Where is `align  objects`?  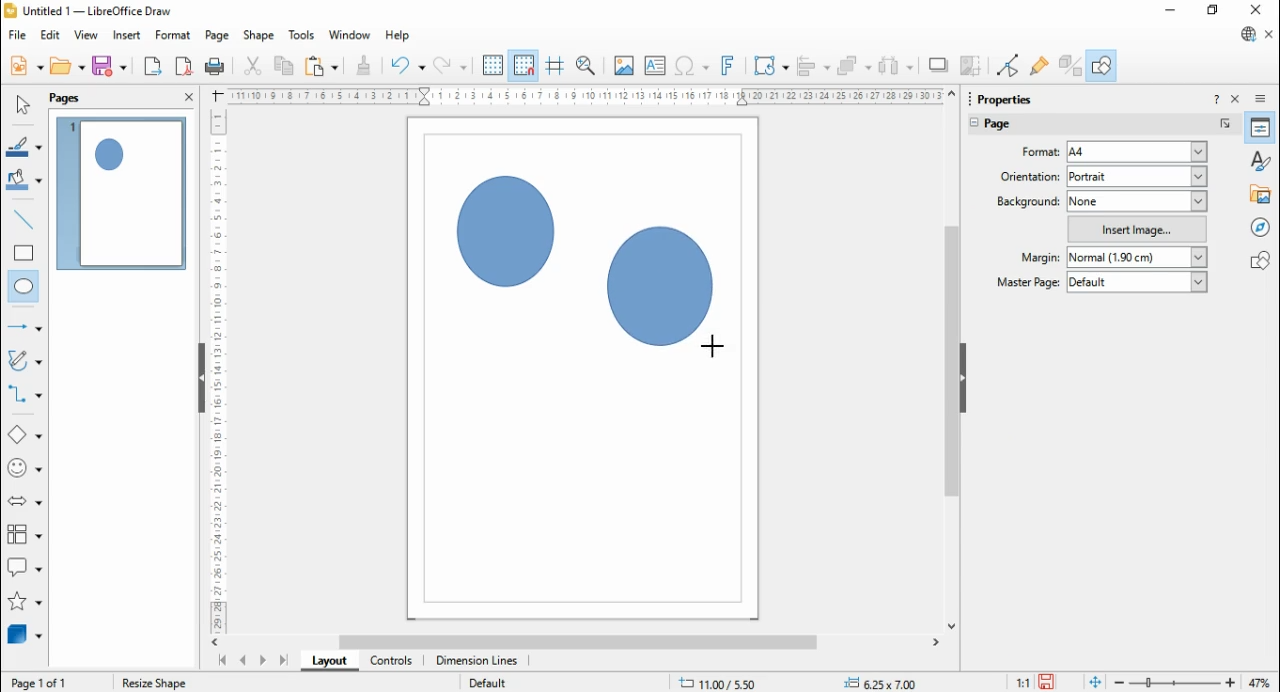
align  objects is located at coordinates (813, 66).